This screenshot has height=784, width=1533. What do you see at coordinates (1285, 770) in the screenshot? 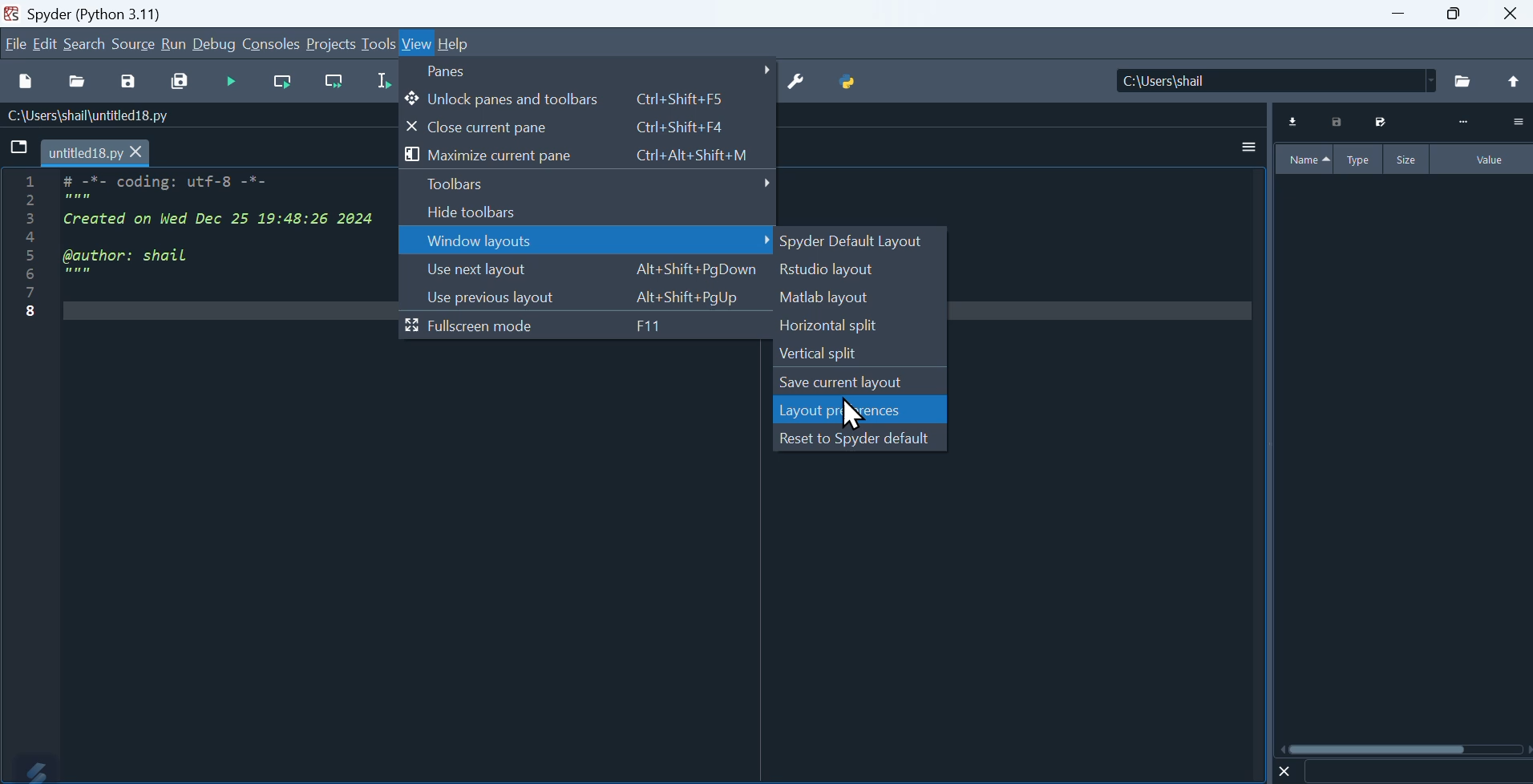
I see `Close` at bounding box center [1285, 770].